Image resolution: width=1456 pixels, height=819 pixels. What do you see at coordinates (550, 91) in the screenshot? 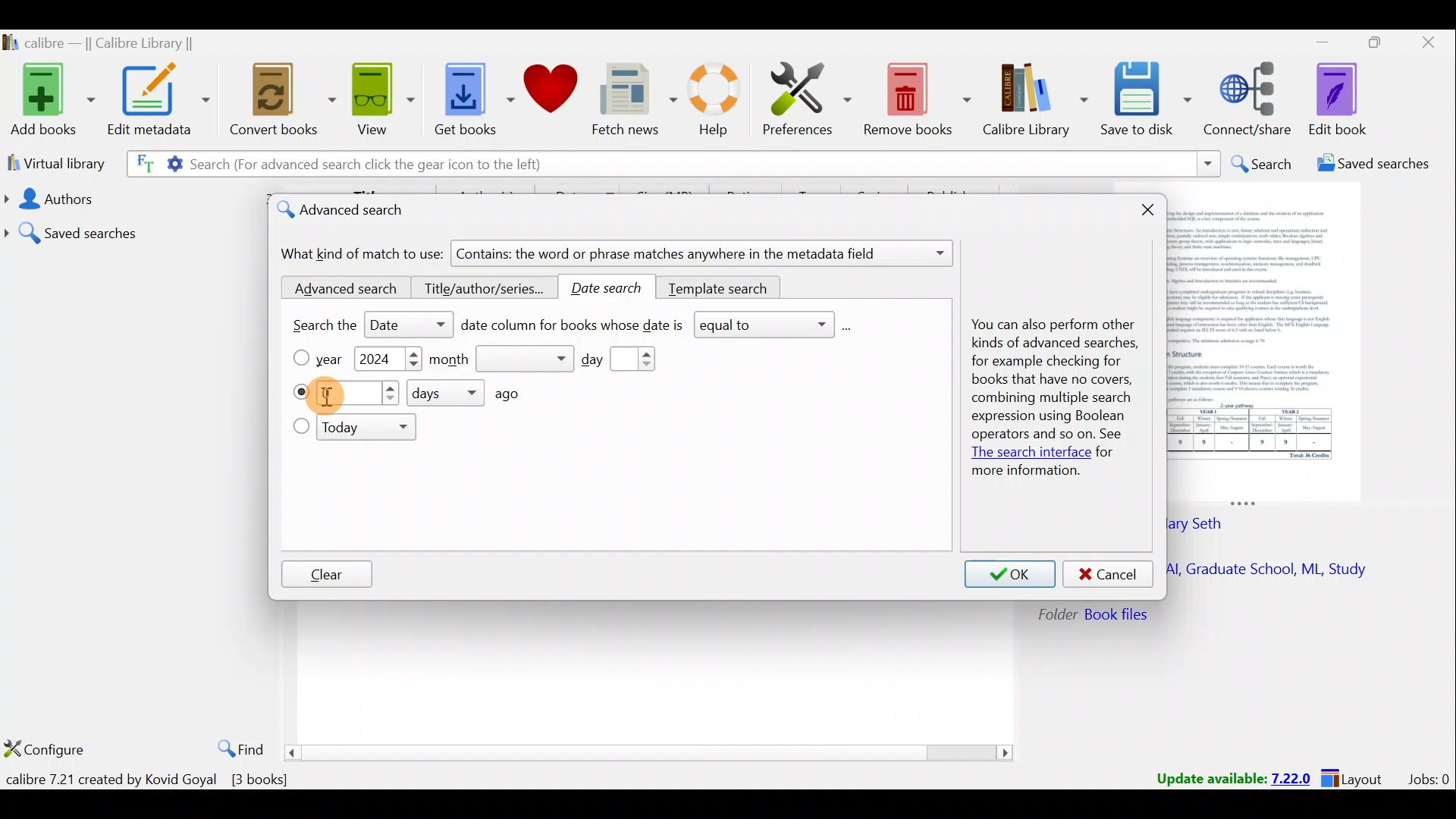
I see `Donate` at bounding box center [550, 91].